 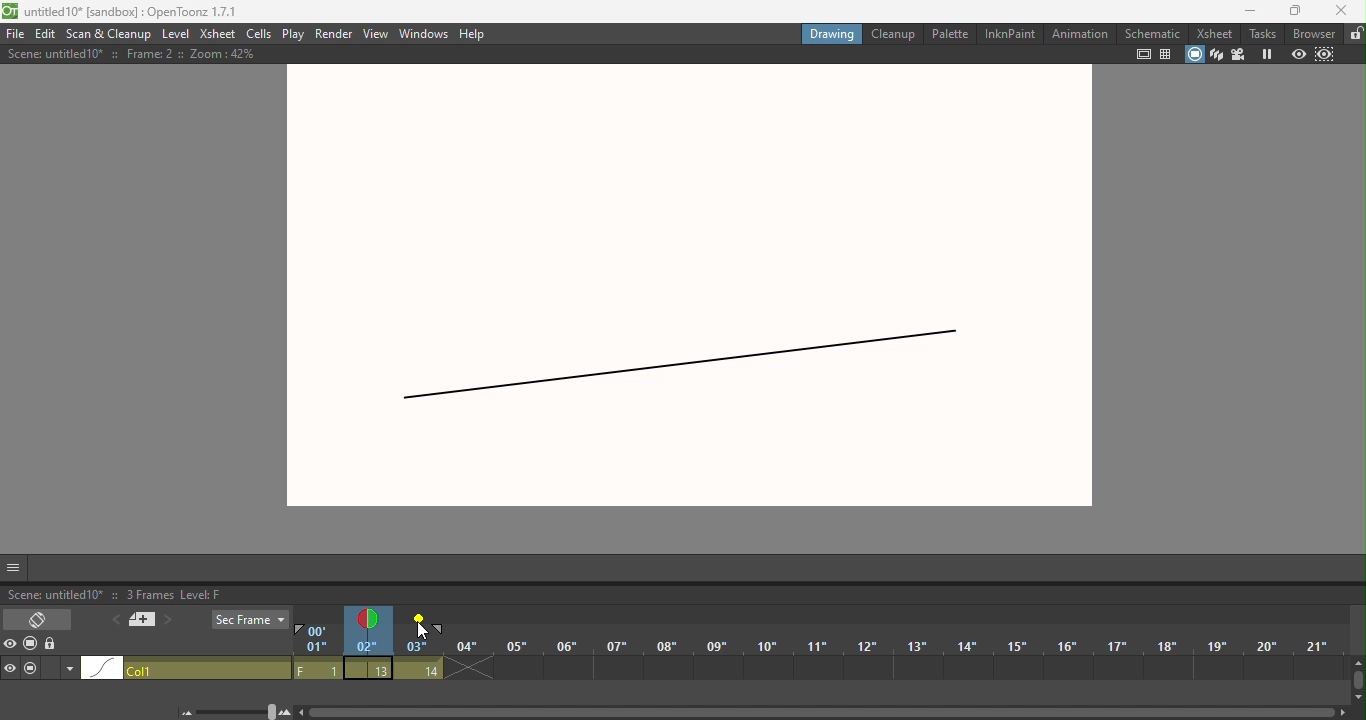 I want to click on canvas, so click(x=686, y=298).